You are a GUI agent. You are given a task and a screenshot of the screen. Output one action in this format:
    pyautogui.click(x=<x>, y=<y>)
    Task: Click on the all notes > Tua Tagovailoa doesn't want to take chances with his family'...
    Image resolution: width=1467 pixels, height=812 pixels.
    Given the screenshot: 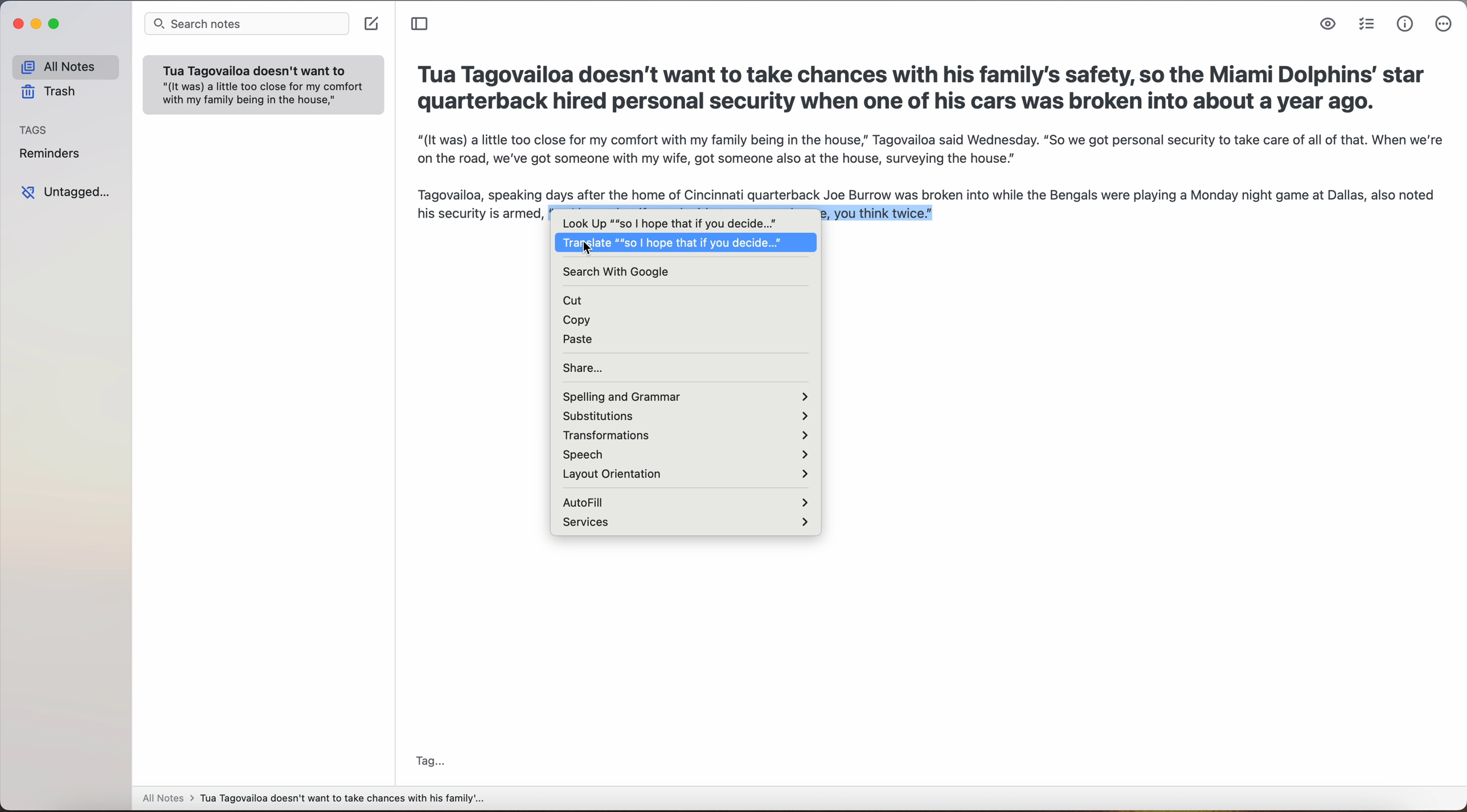 What is the action you would take?
    pyautogui.click(x=313, y=799)
    